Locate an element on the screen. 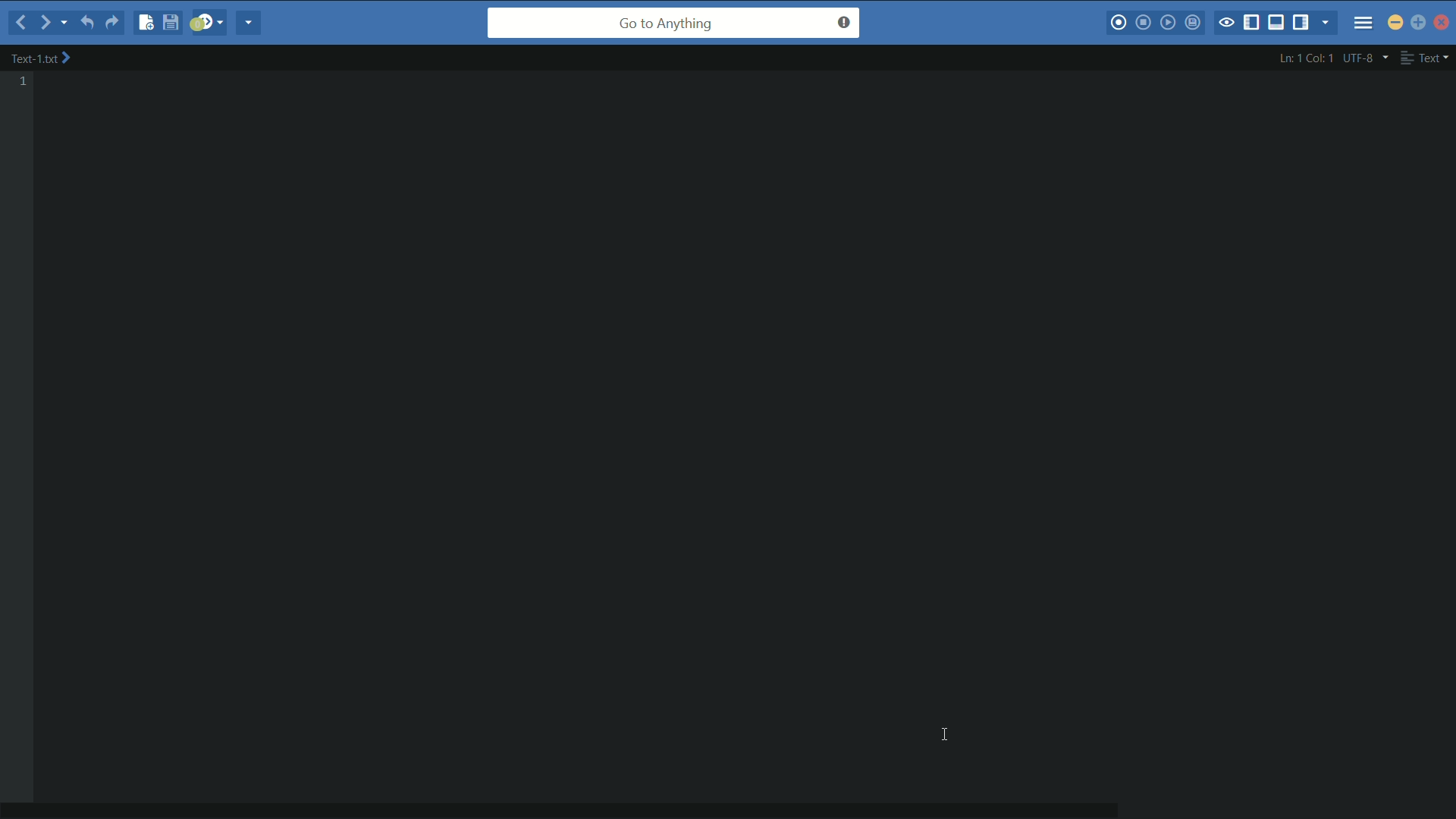  start macros is located at coordinates (1118, 24).